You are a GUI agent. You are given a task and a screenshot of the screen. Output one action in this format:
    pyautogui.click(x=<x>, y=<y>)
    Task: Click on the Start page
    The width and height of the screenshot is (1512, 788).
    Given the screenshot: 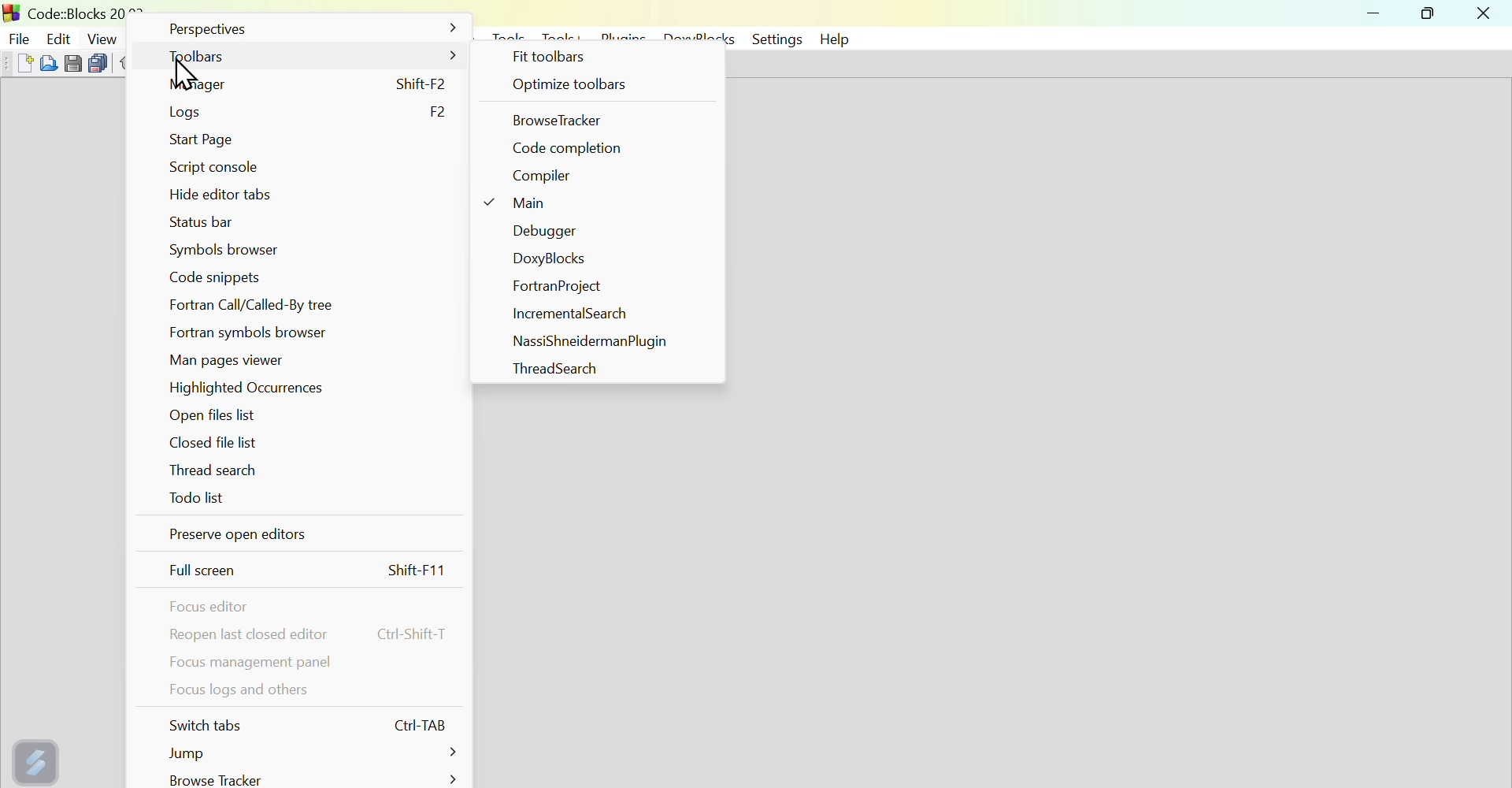 What is the action you would take?
    pyautogui.click(x=209, y=137)
    